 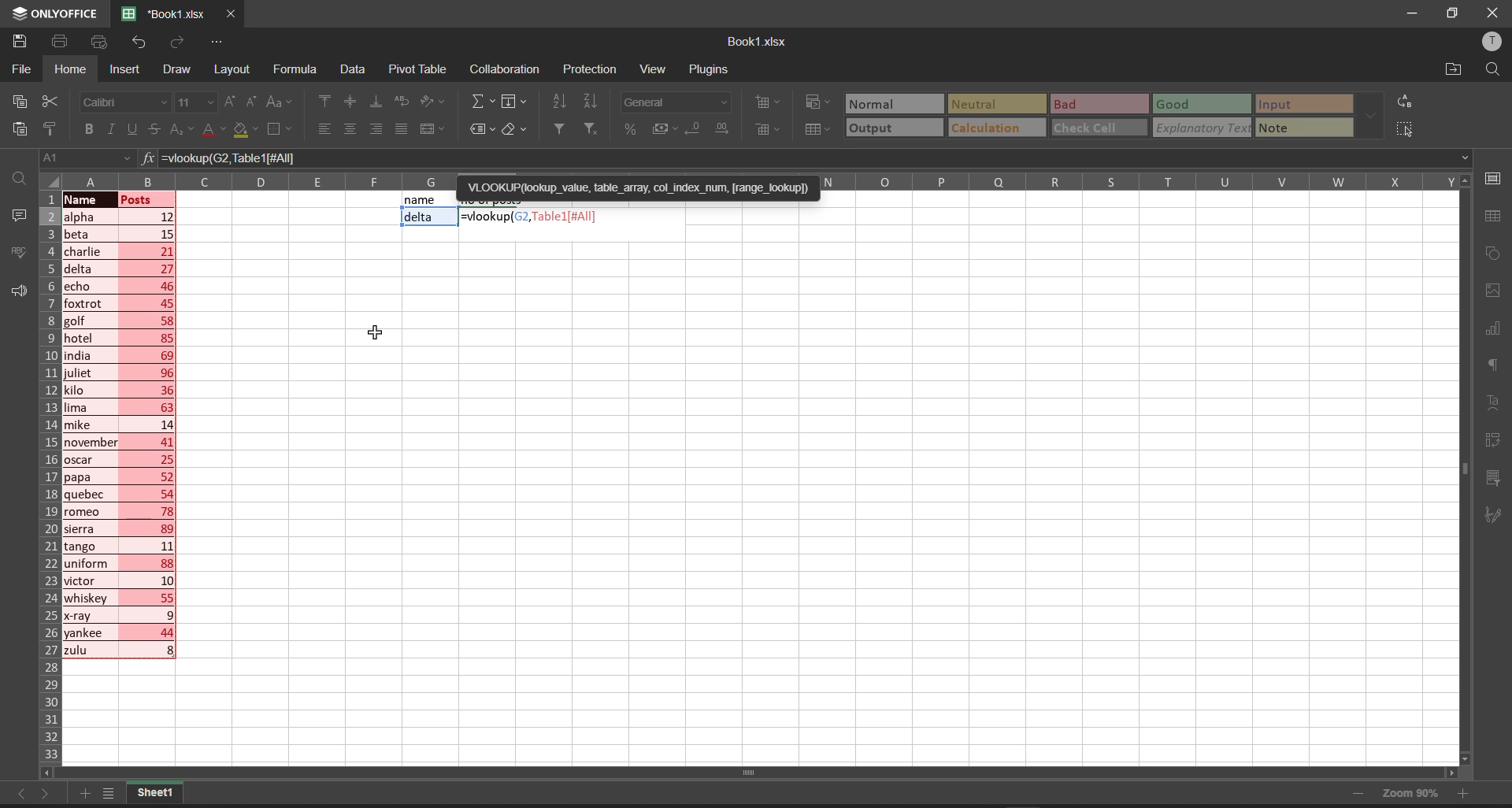 What do you see at coordinates (298, 70) in the screenshot?
I see `formula` at bounding box center [298, 70].